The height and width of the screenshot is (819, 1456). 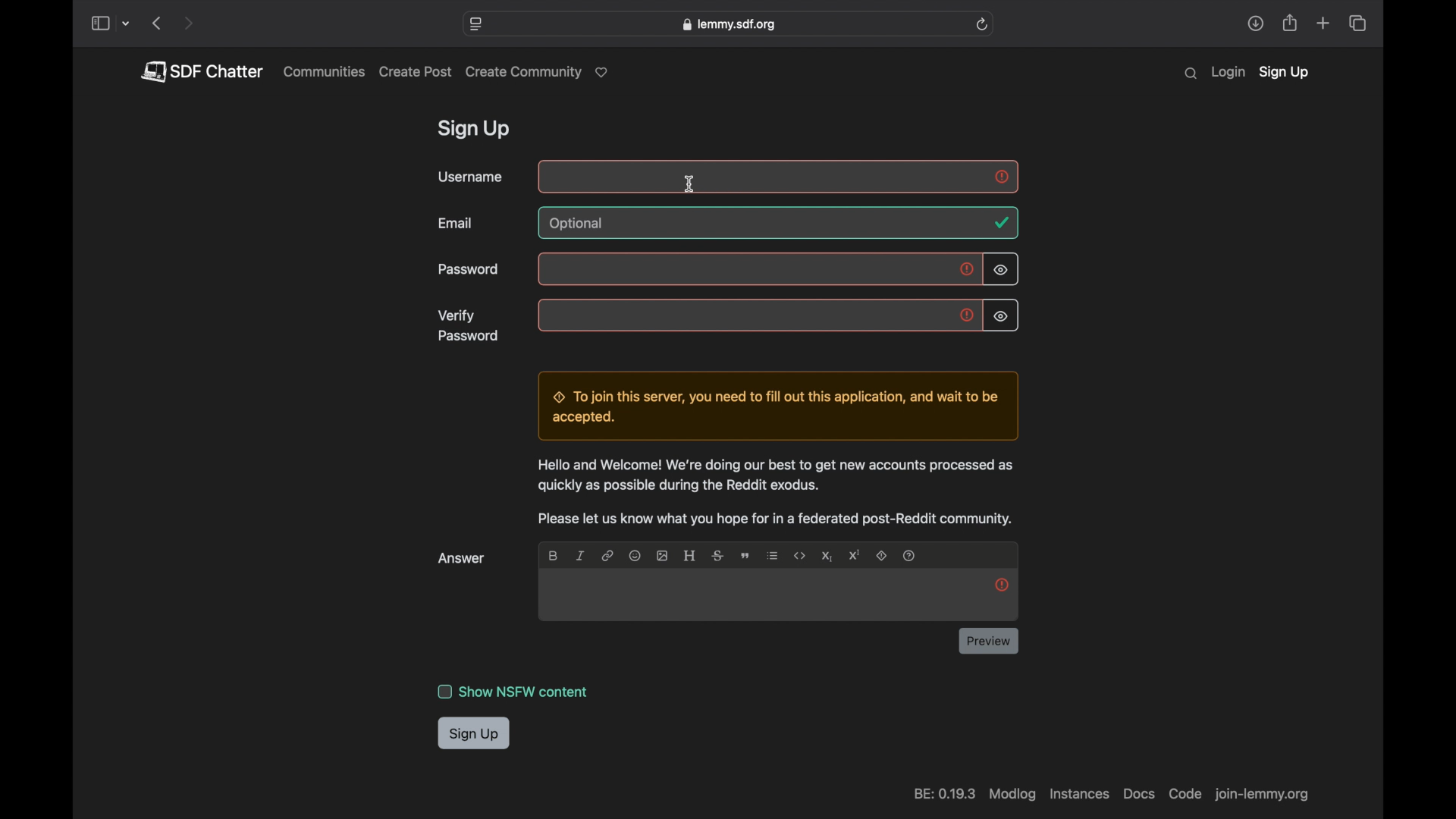 What do you see at coordinates (1324, 23) in the screenshot?
I see `new tab` at bounding box center [1324, 23].